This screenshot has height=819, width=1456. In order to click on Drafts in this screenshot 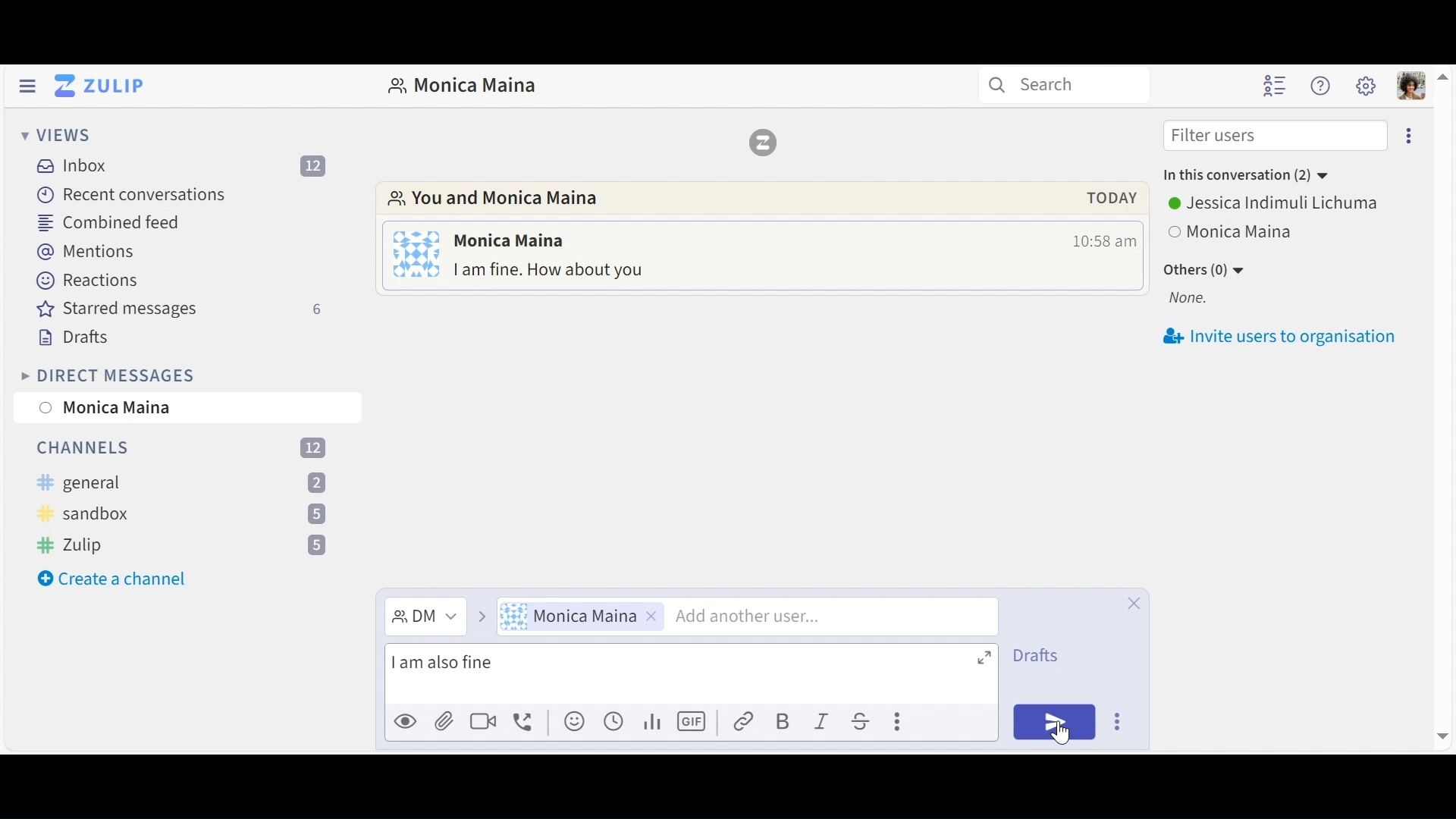, I will do `click(1043, 654)`.